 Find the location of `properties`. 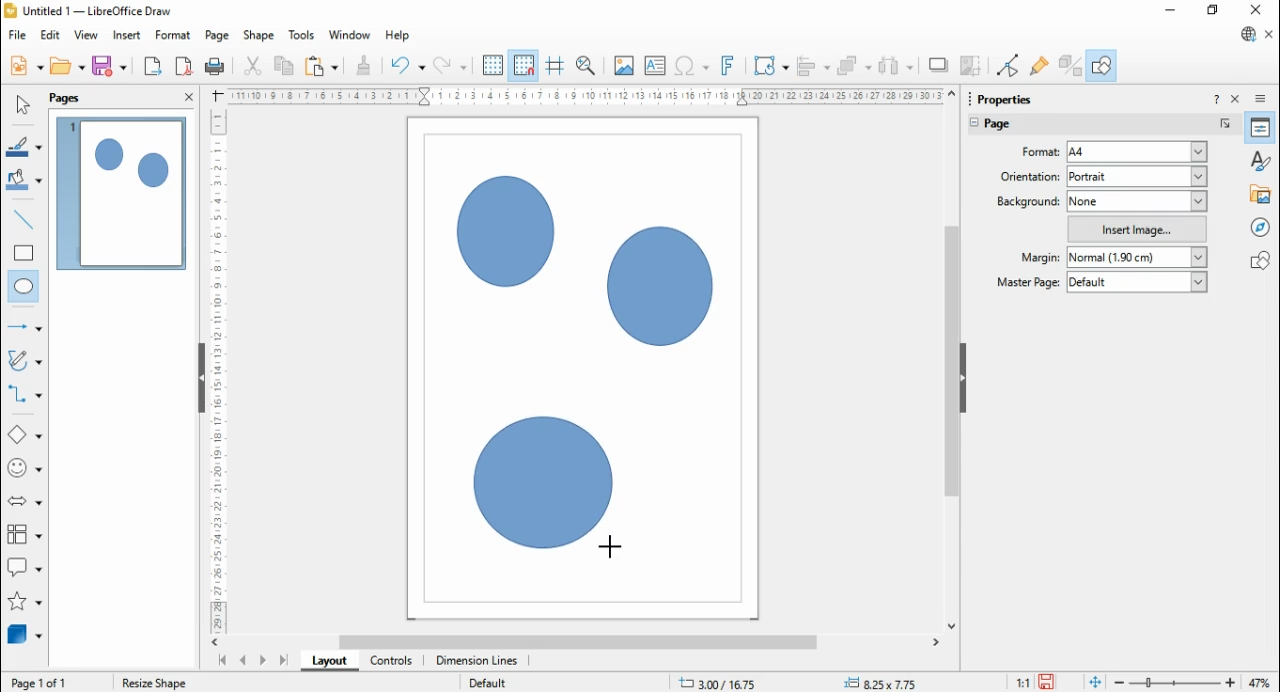

properties is located at coordinates (1261, 127).